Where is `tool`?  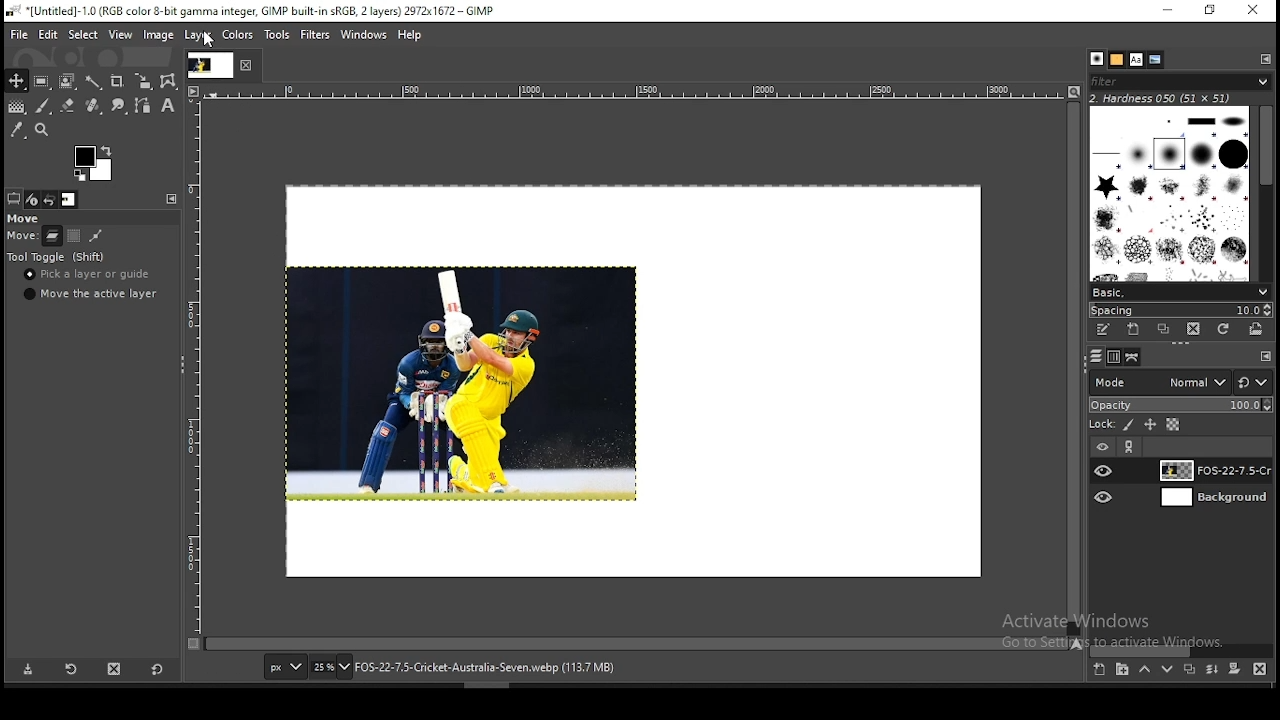
tool is located at coordinates (1265, 58).